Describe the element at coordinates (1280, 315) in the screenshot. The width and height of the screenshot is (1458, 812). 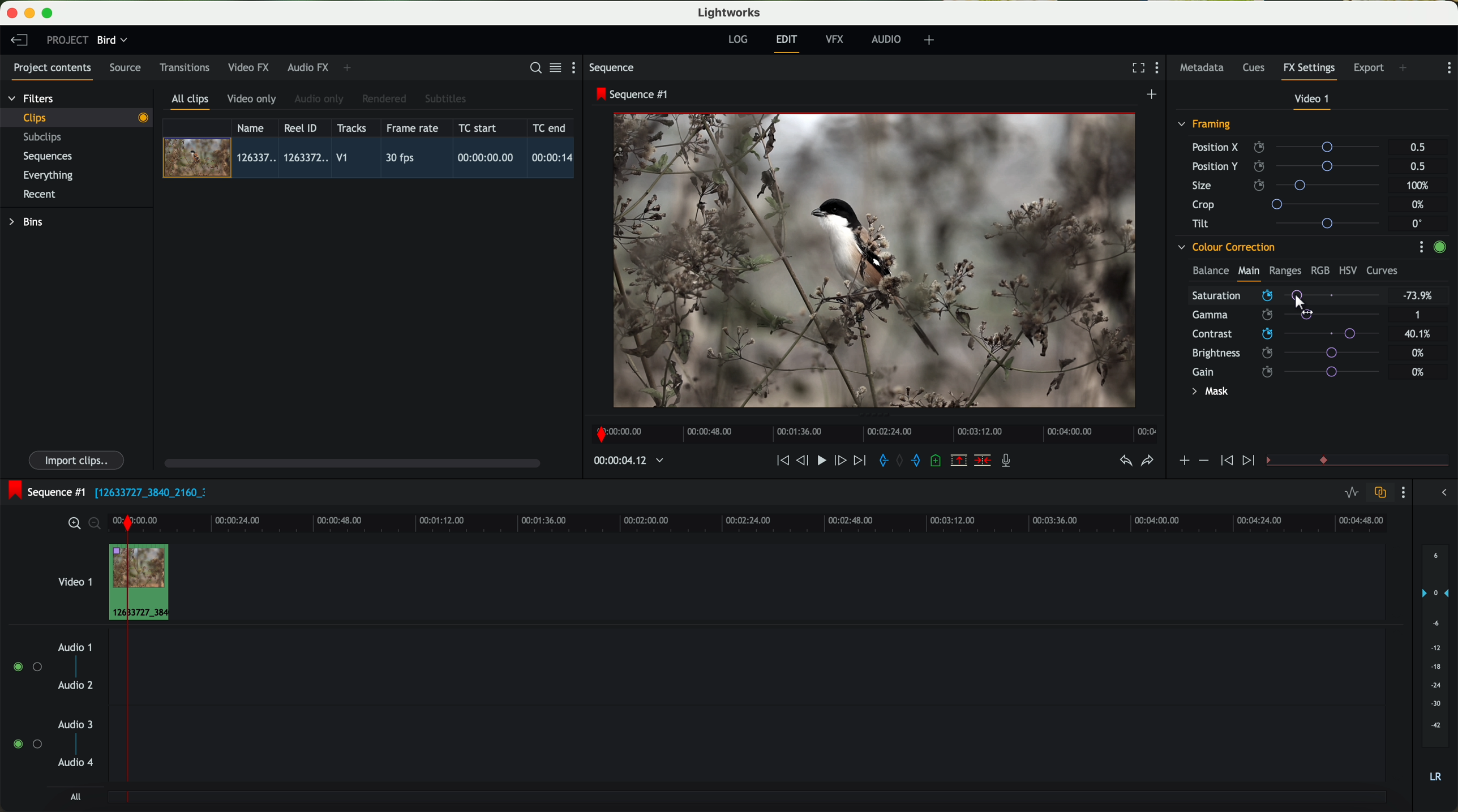
I see `click on saturation` at that location.